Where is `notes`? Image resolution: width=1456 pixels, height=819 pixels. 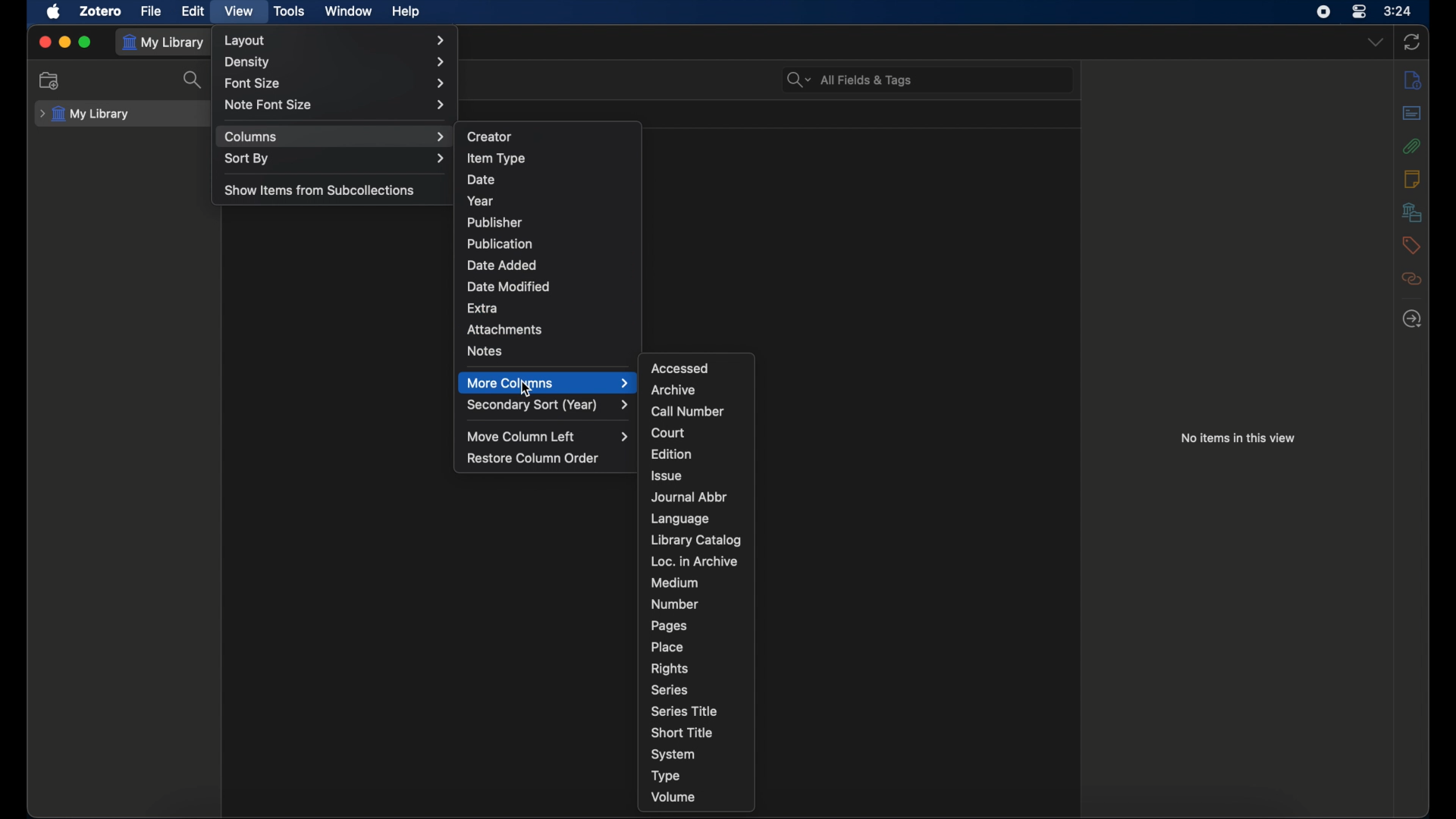 notes is located at coordinates (486, 350).